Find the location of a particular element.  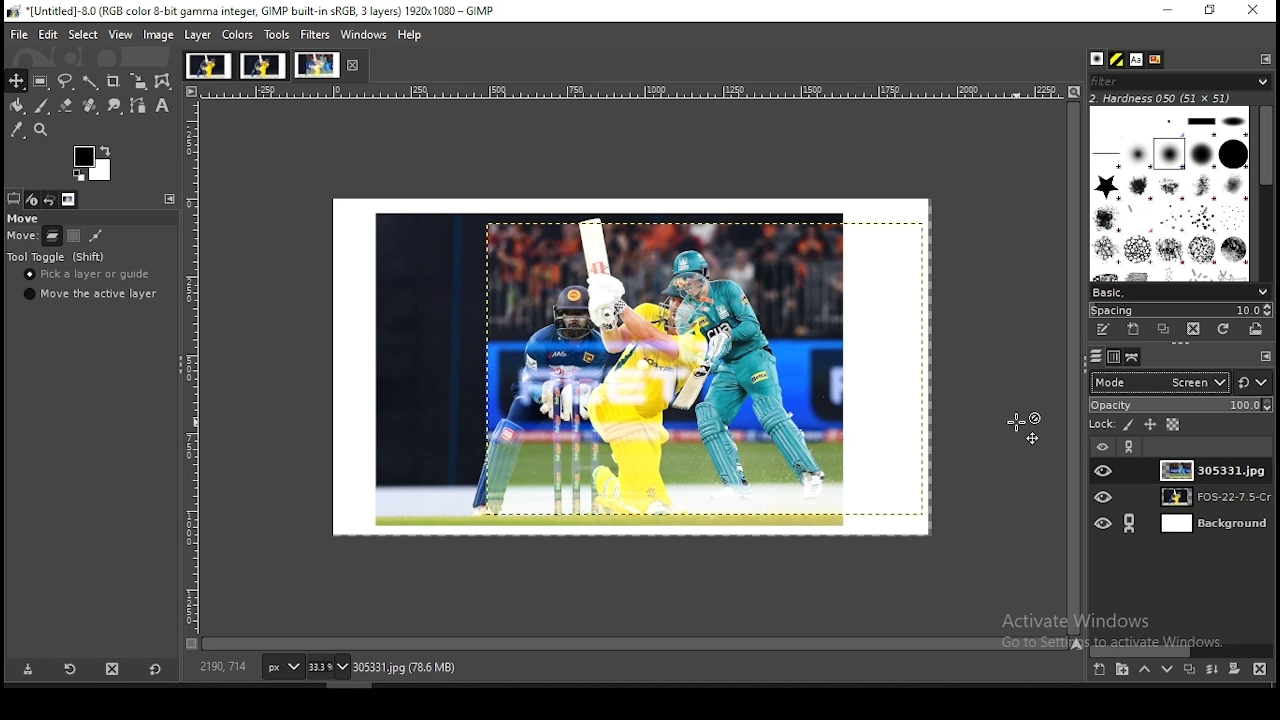

scroll bar is located at coordinates (635, 643).